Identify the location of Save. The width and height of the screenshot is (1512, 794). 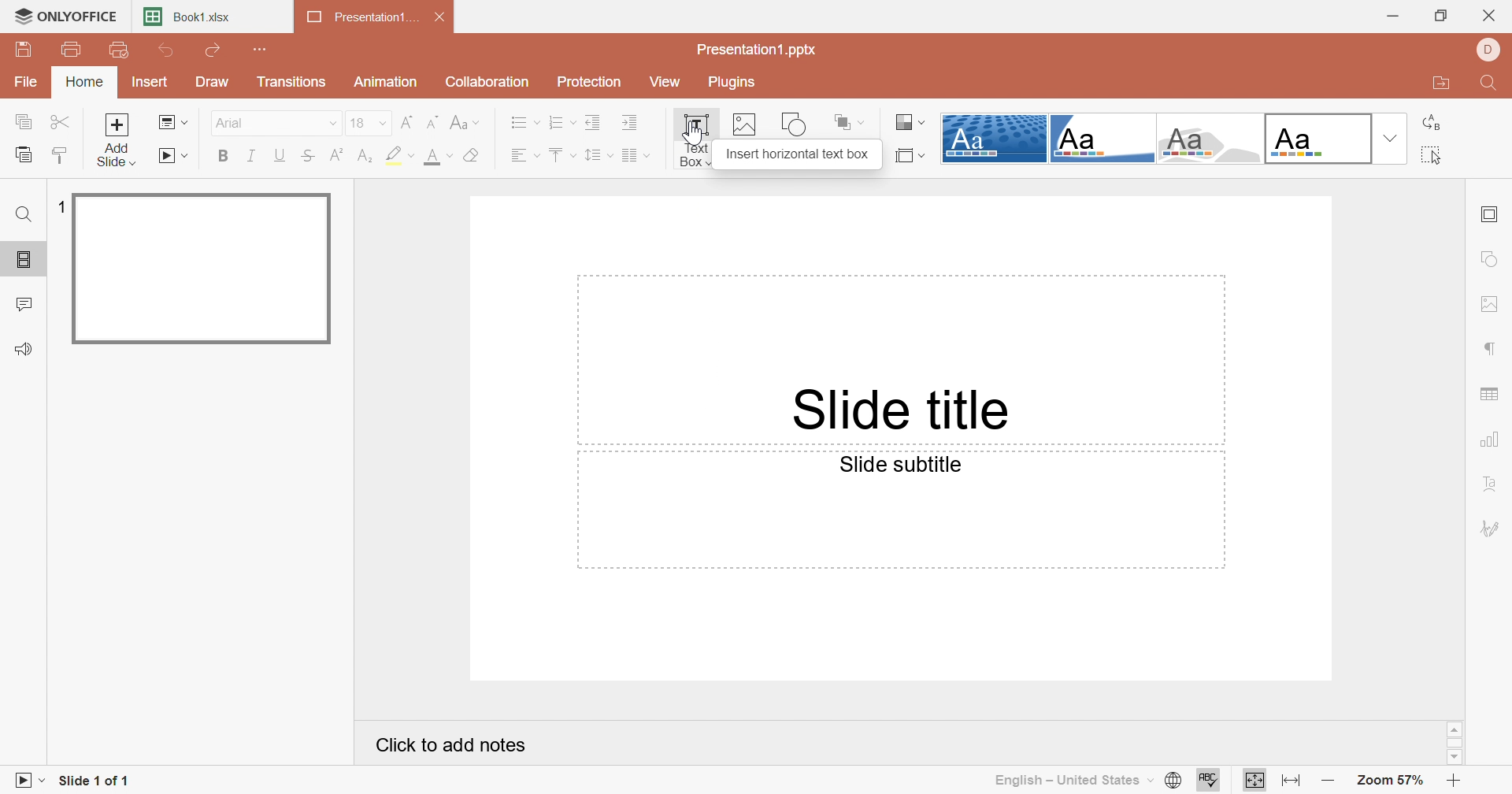
(22, 50).